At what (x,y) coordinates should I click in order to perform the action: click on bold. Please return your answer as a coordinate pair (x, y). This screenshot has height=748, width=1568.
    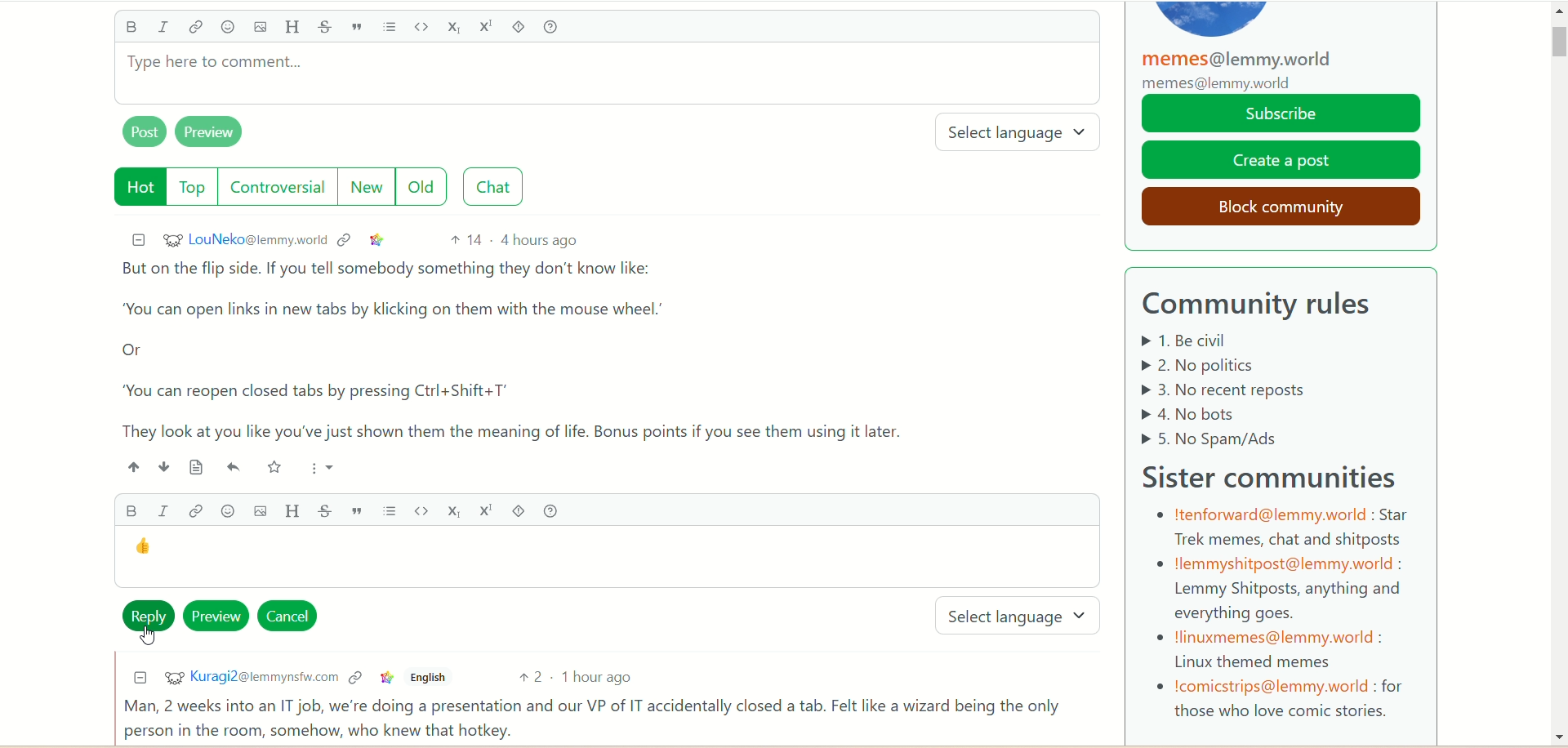
    Looking at the image, I should click on (131, 509).